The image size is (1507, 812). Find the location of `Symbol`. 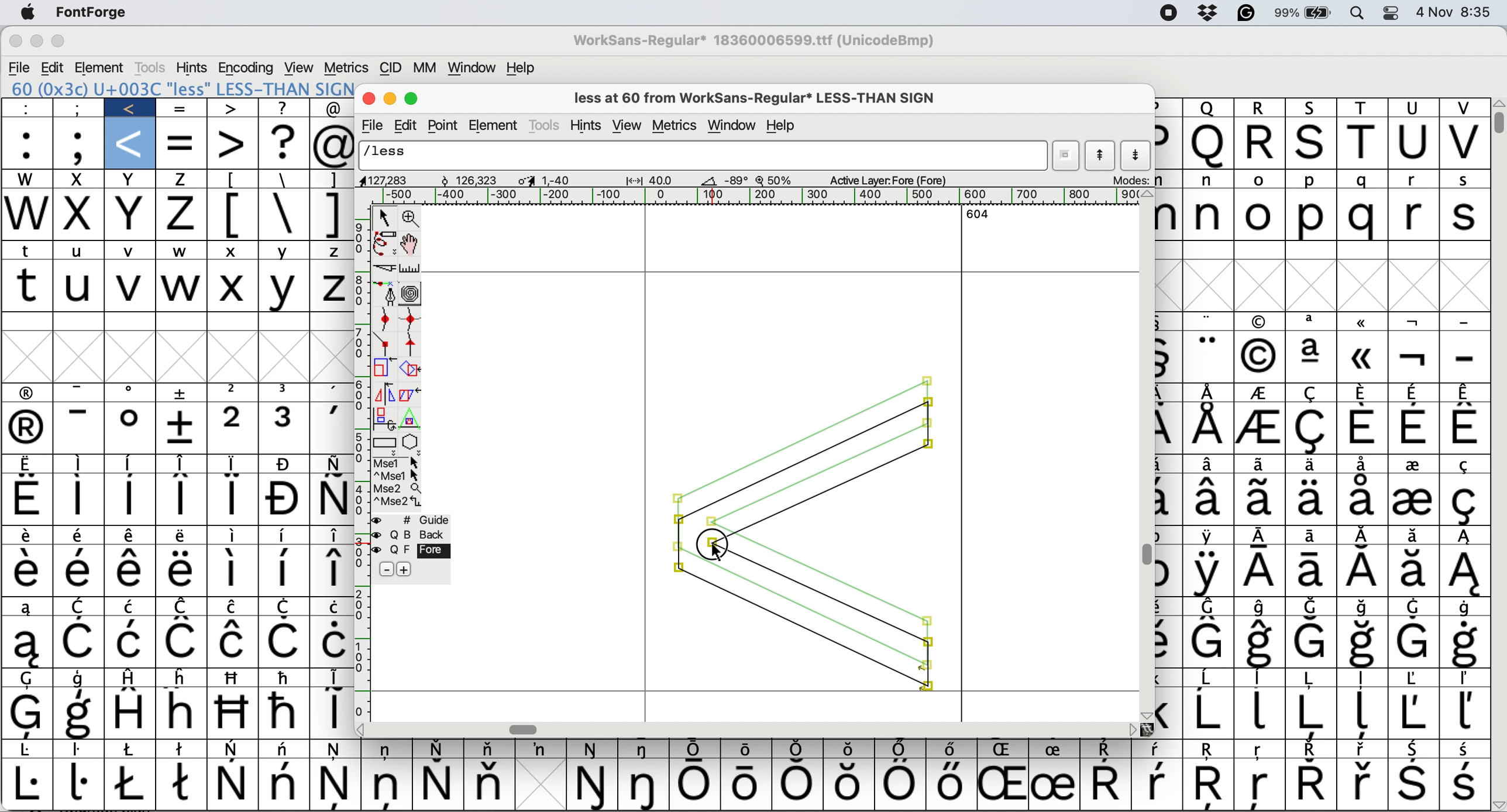

Symbol is located at coordinates (1210, 356).